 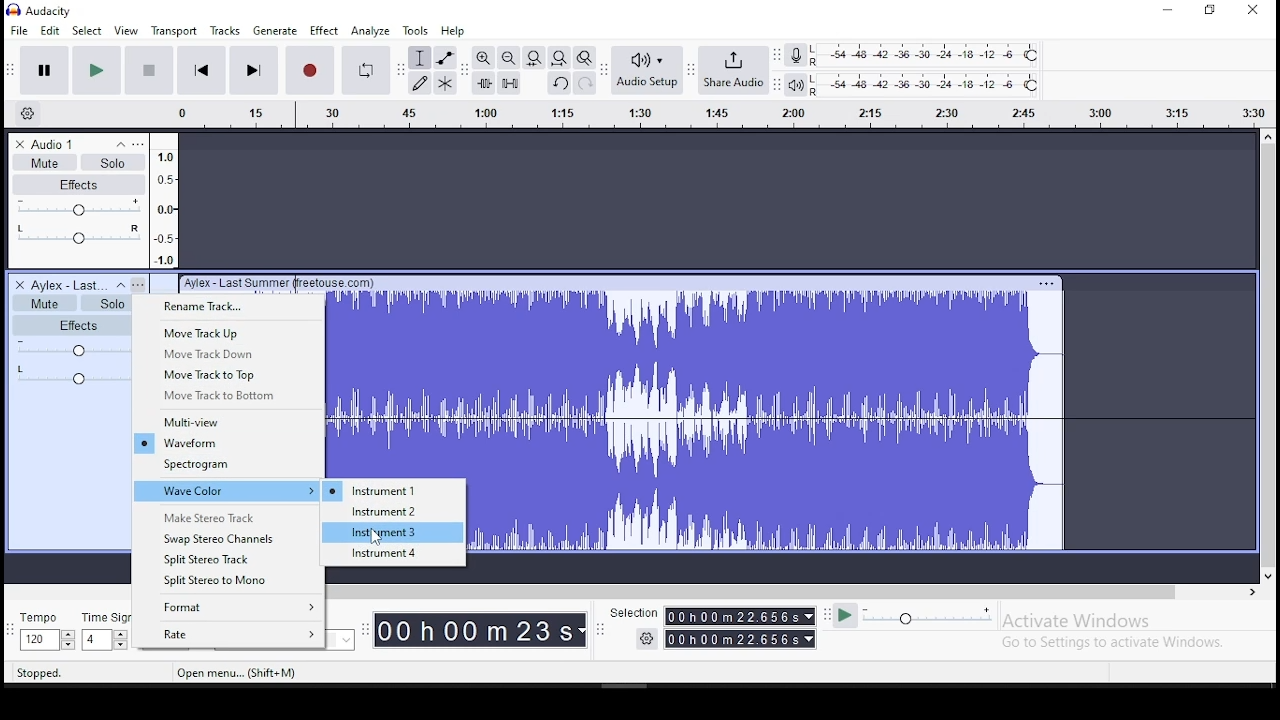 What do you see at coordinates (393, 533) in the screenshot?
I see `instrument 3` at bounding box center [393, 533].